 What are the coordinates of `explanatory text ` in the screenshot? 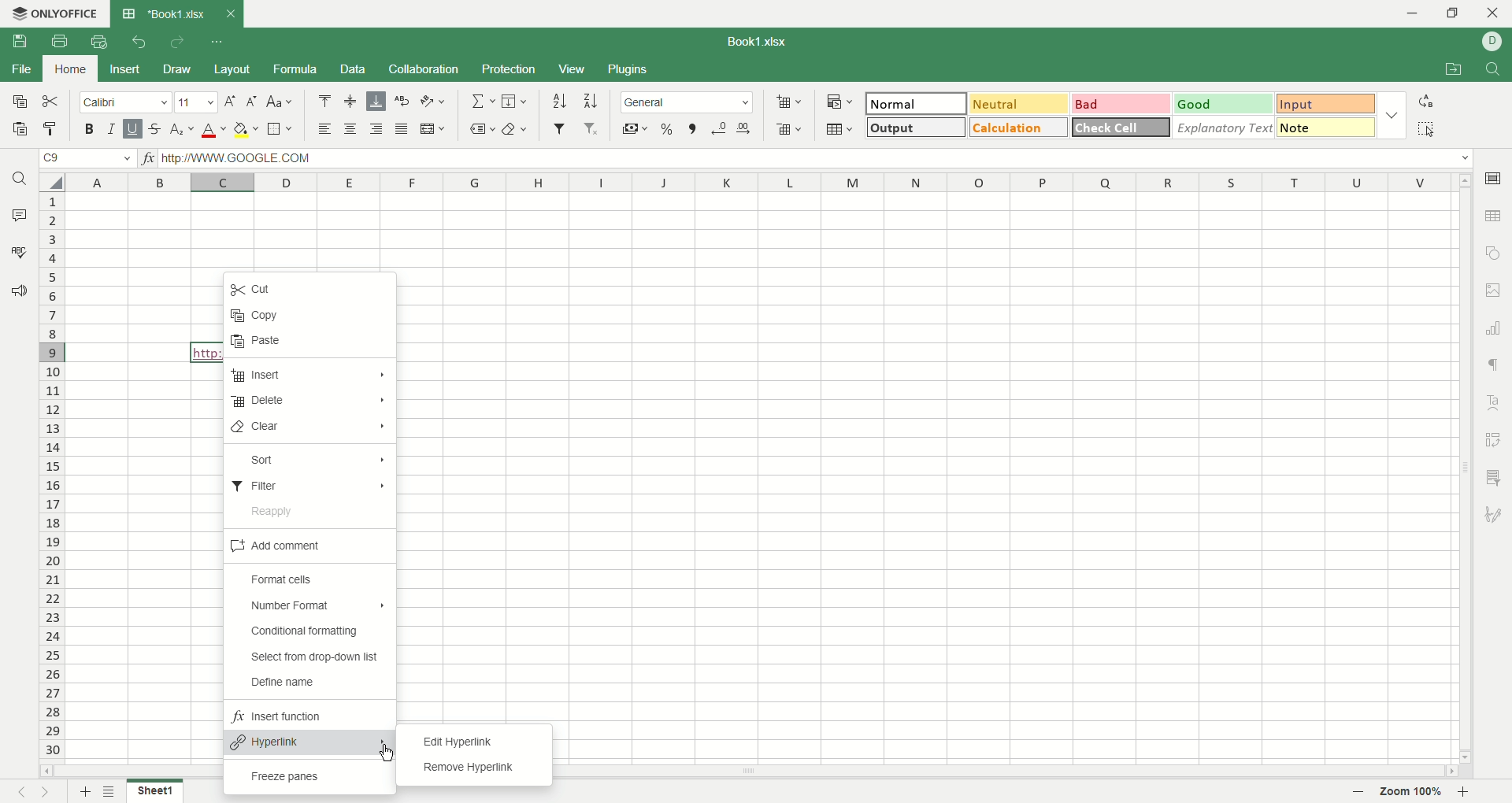 It's located at (1225, 128).